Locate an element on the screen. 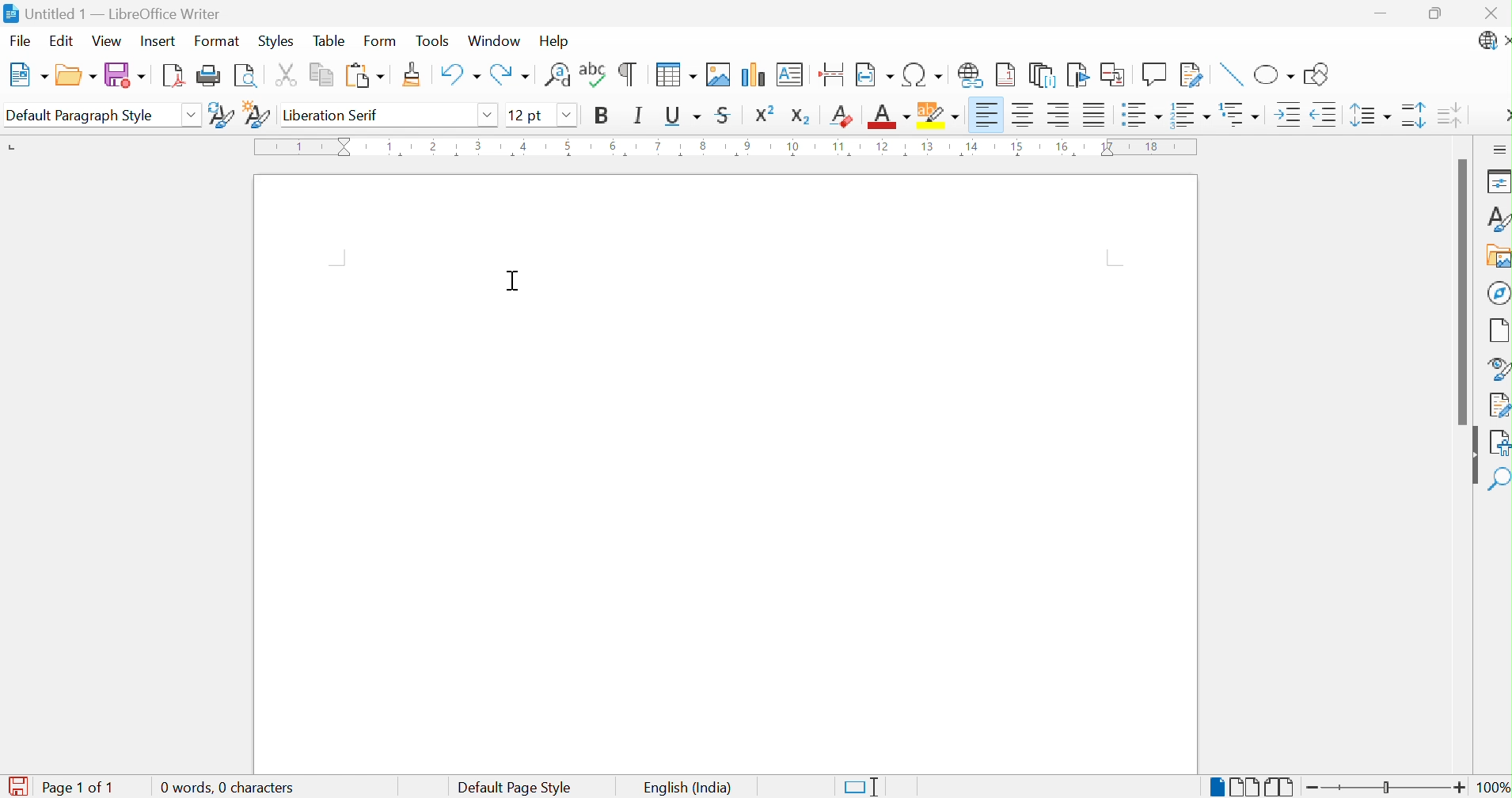  Standard Selection. Click to change selection mode. is located at coordinates (862, 785).